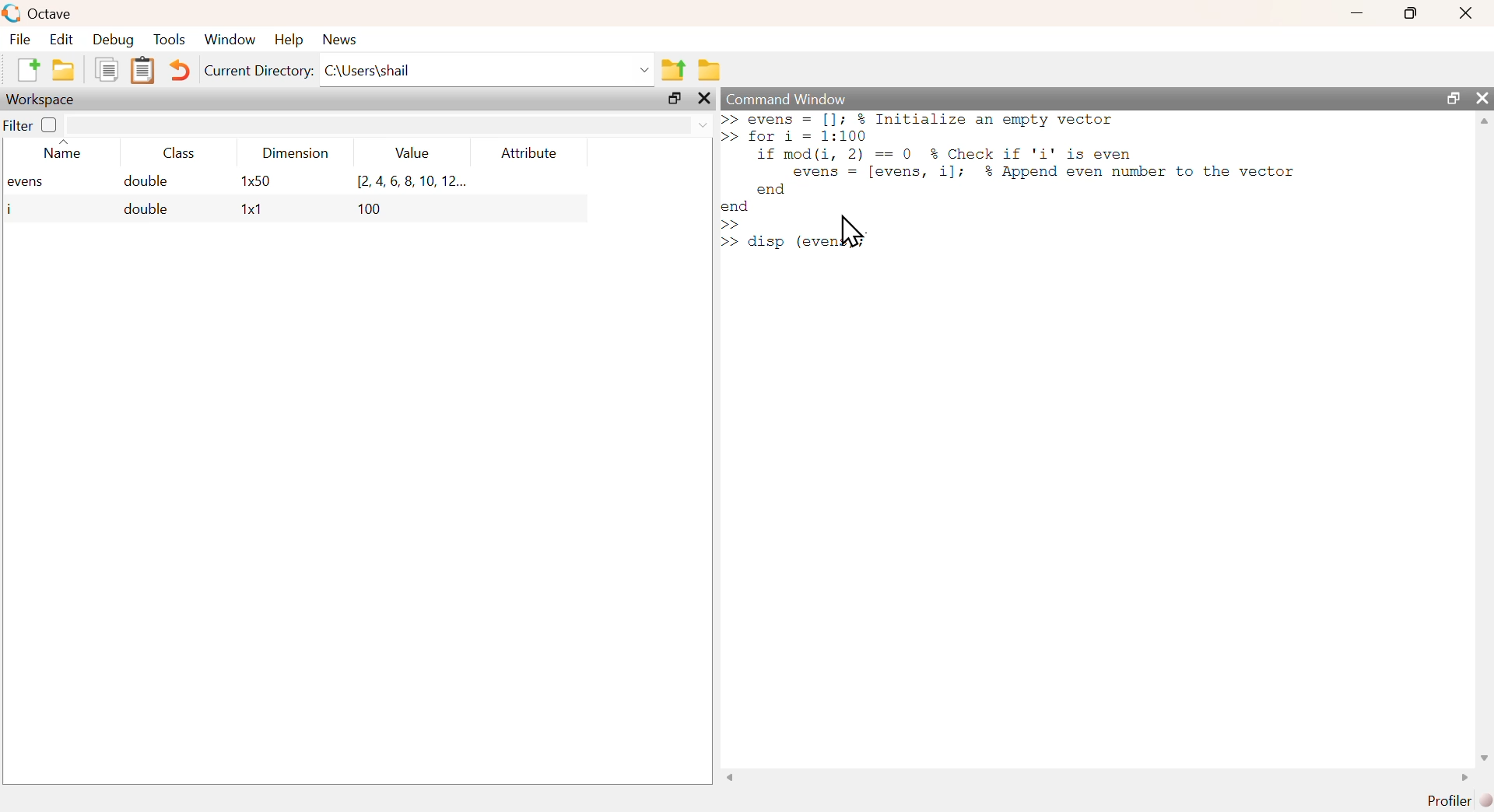 This screenshot has height=812, width=1494. Describe the element at coordinates (18, 124) in the screenshot. I see `filter` at that location.